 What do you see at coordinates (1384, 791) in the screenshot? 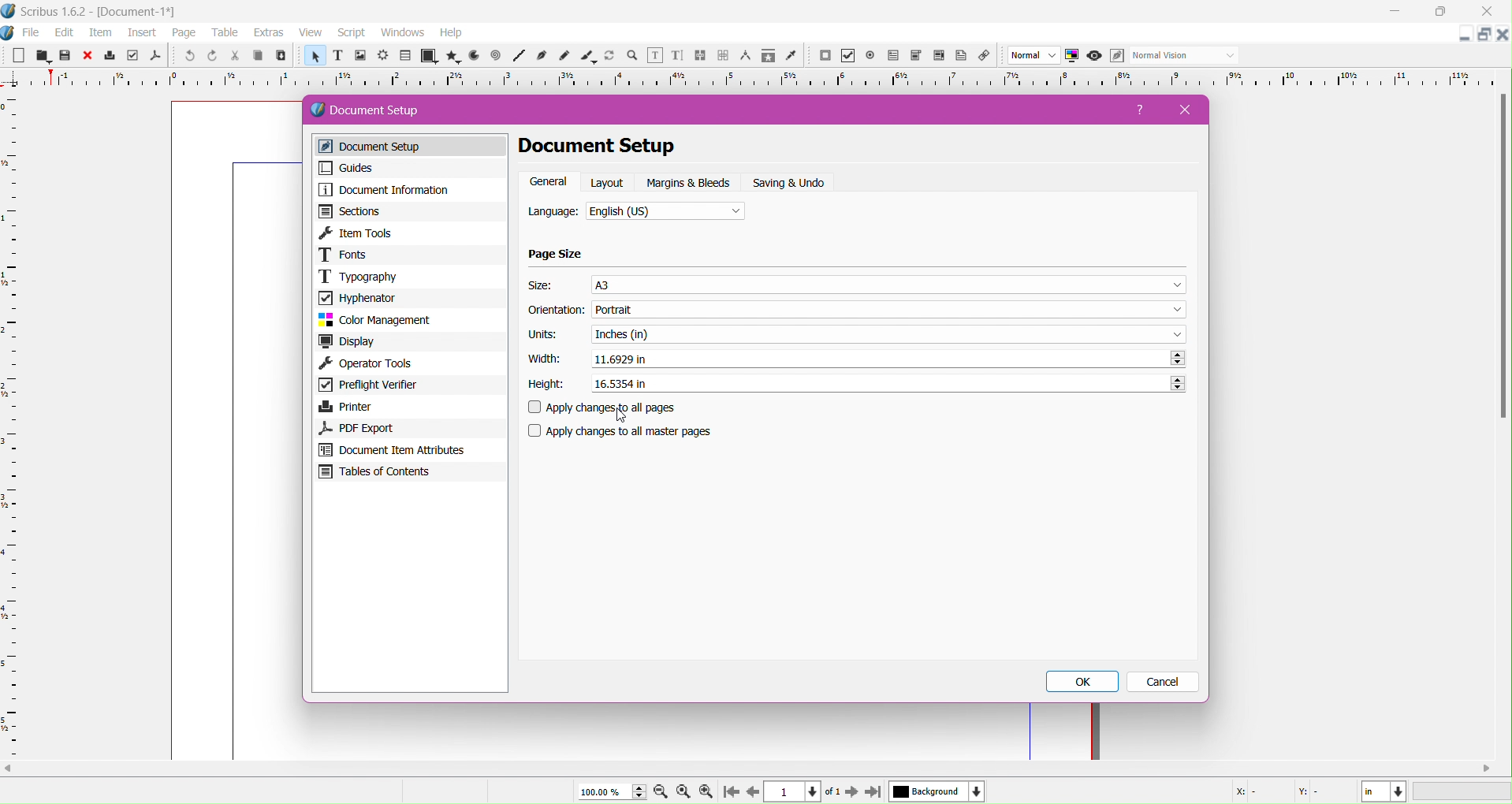
I see `measurement unit` at bounding box center [1384, 791].